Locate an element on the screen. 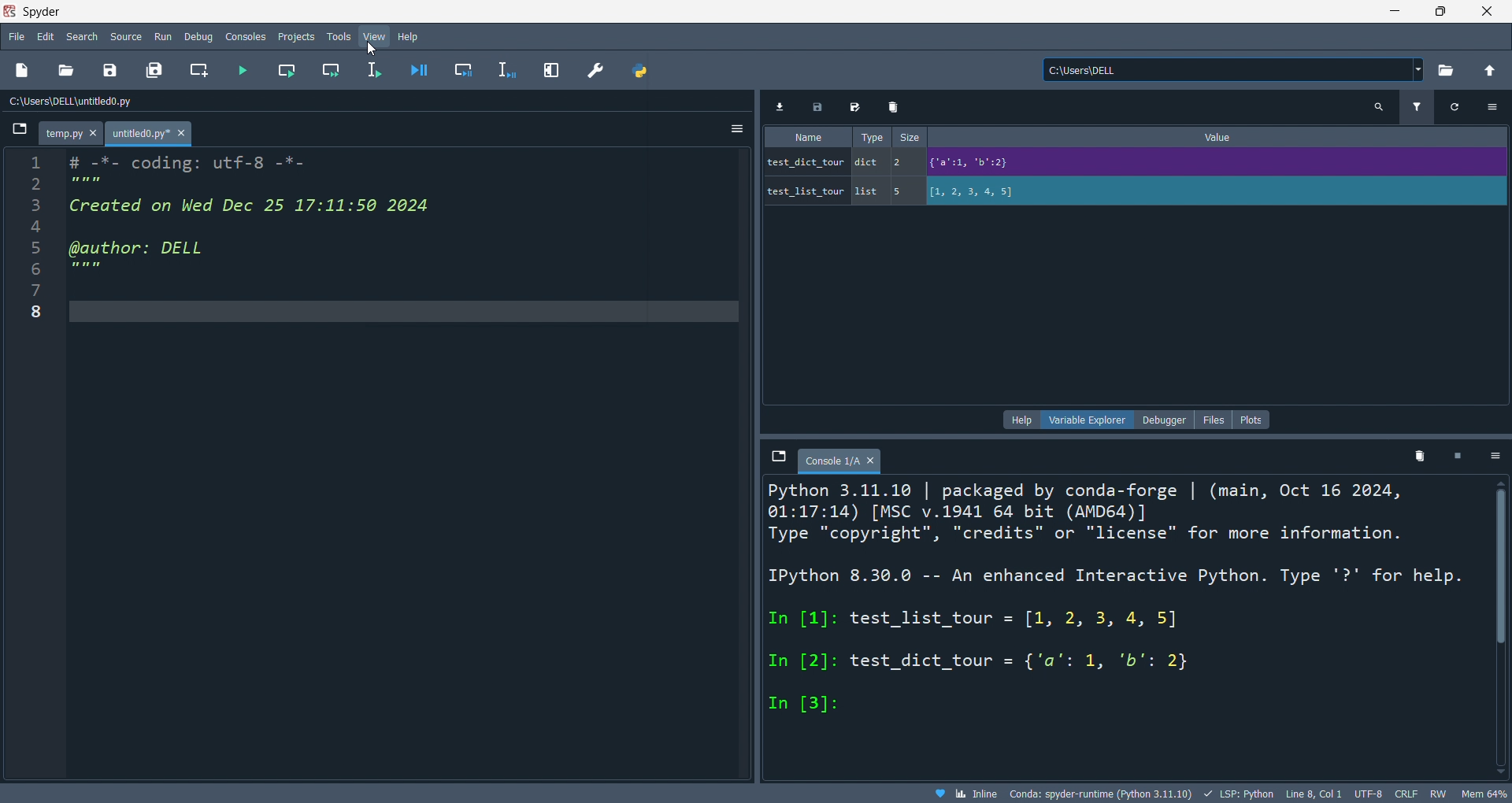  source is located at coordinates (125, 35).